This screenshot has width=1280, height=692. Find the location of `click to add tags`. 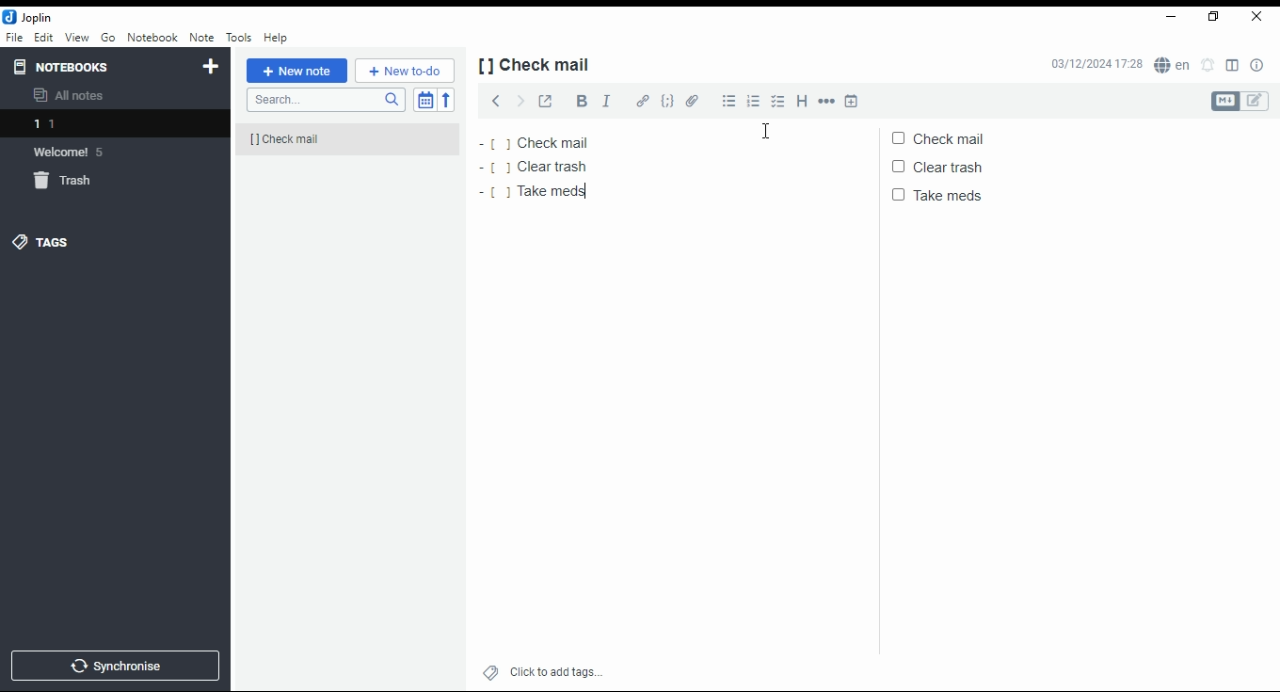

click to add tags is located at coordinates (543, 674).